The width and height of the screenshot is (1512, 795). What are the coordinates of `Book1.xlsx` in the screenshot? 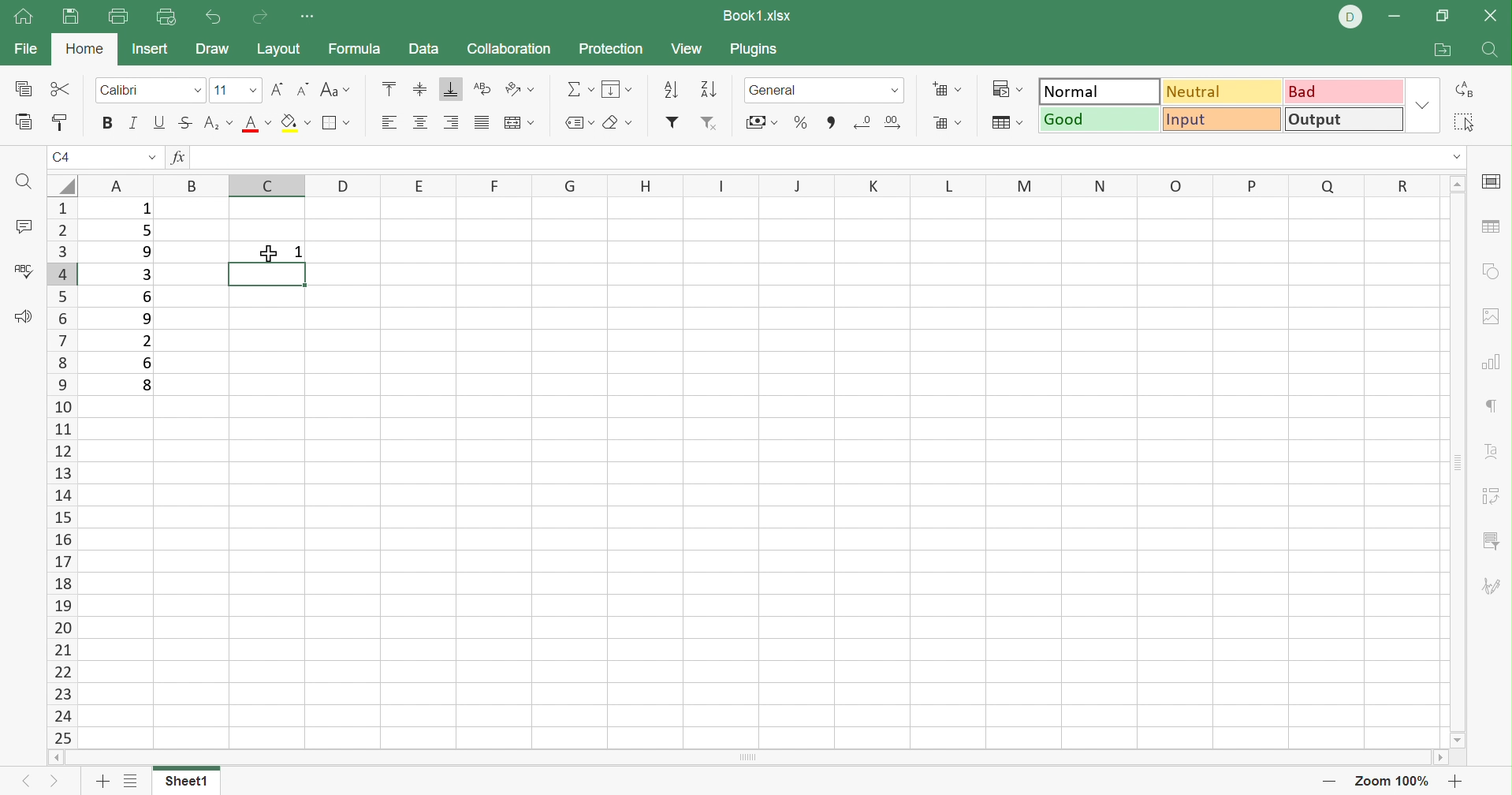 It's located at (758, 17).